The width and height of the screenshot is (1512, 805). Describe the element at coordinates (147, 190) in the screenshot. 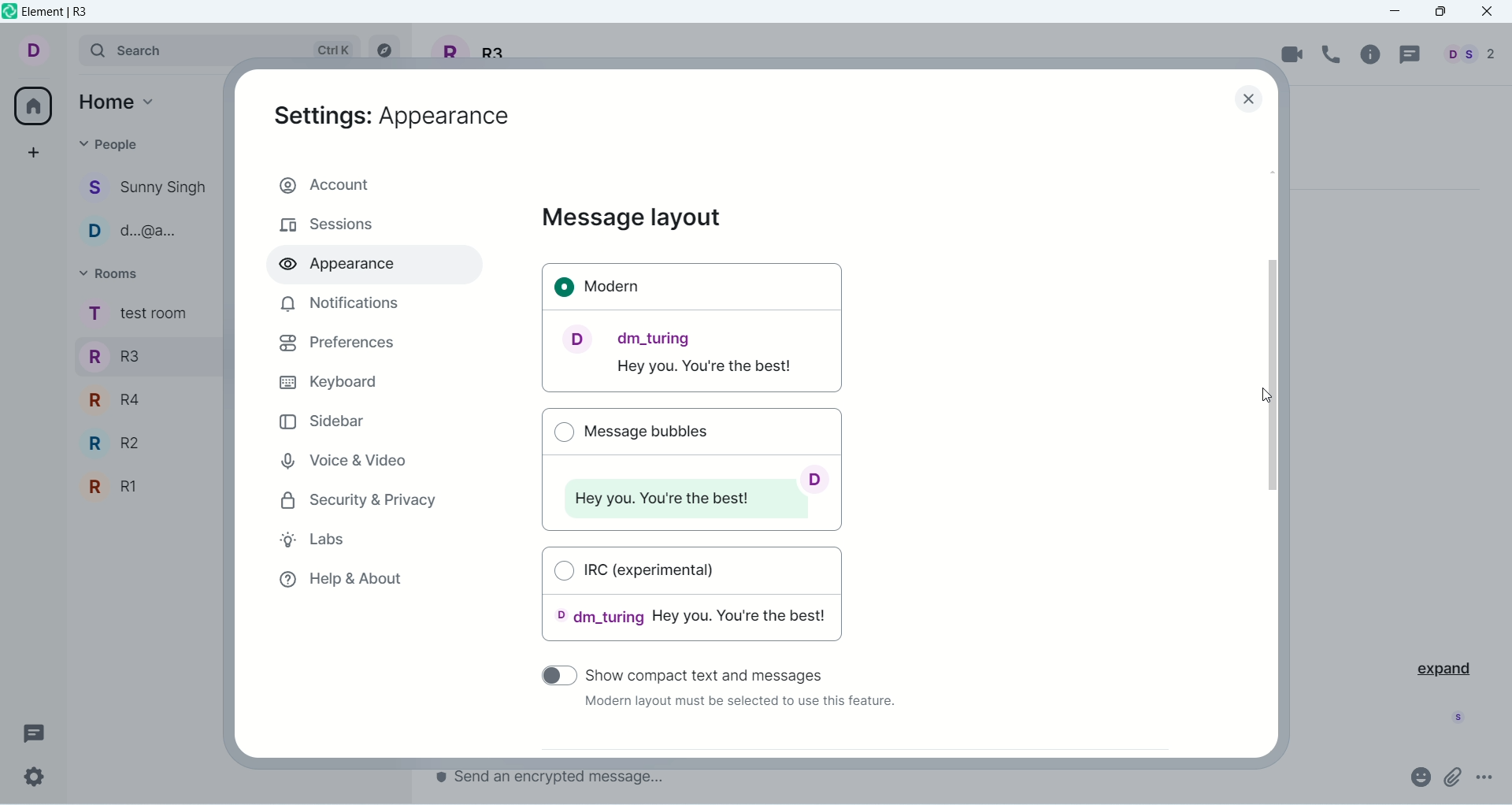

I see `people` at that location.